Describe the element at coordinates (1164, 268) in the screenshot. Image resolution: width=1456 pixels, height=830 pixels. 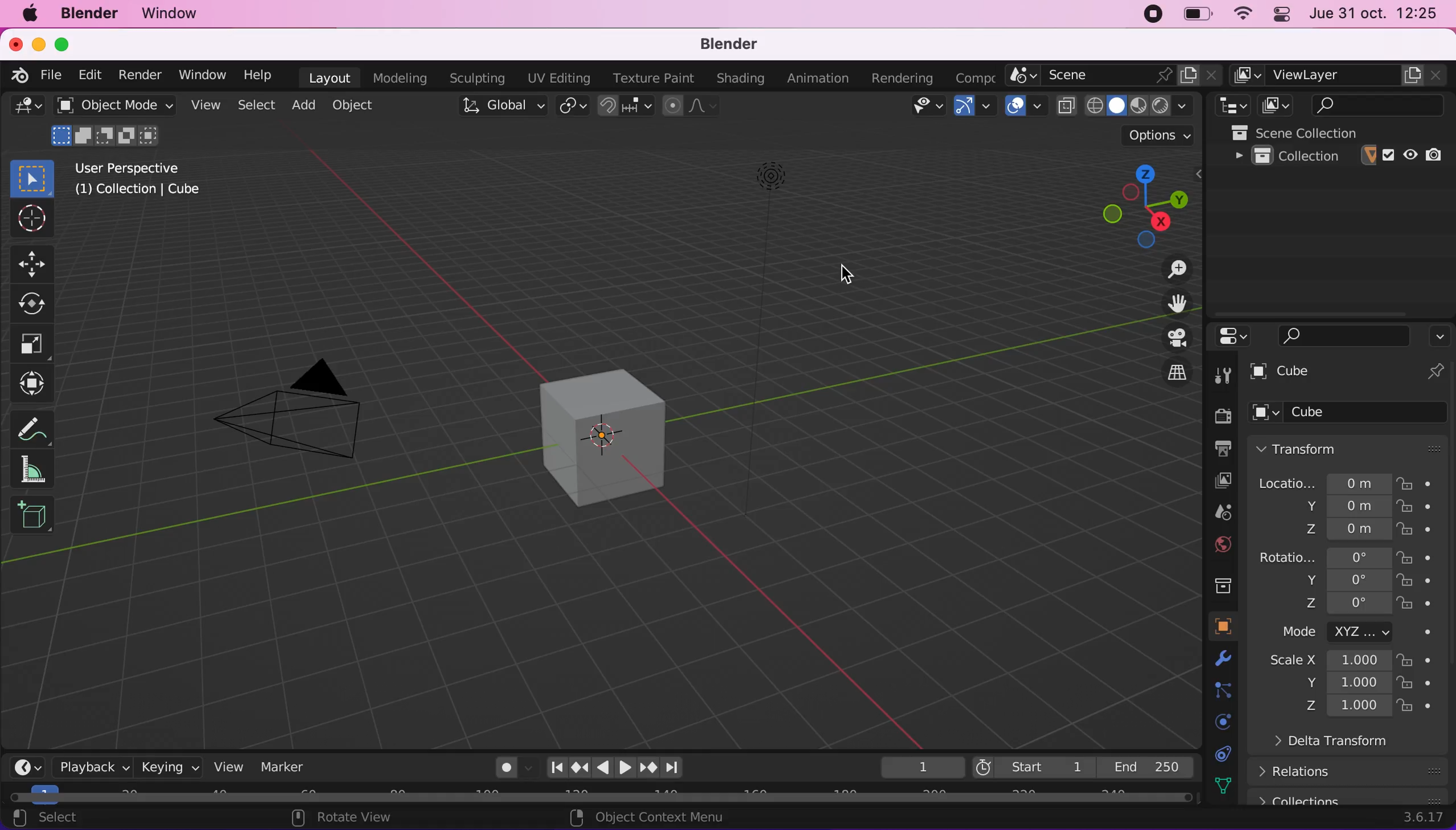
I see `zoom in/out` at that location.